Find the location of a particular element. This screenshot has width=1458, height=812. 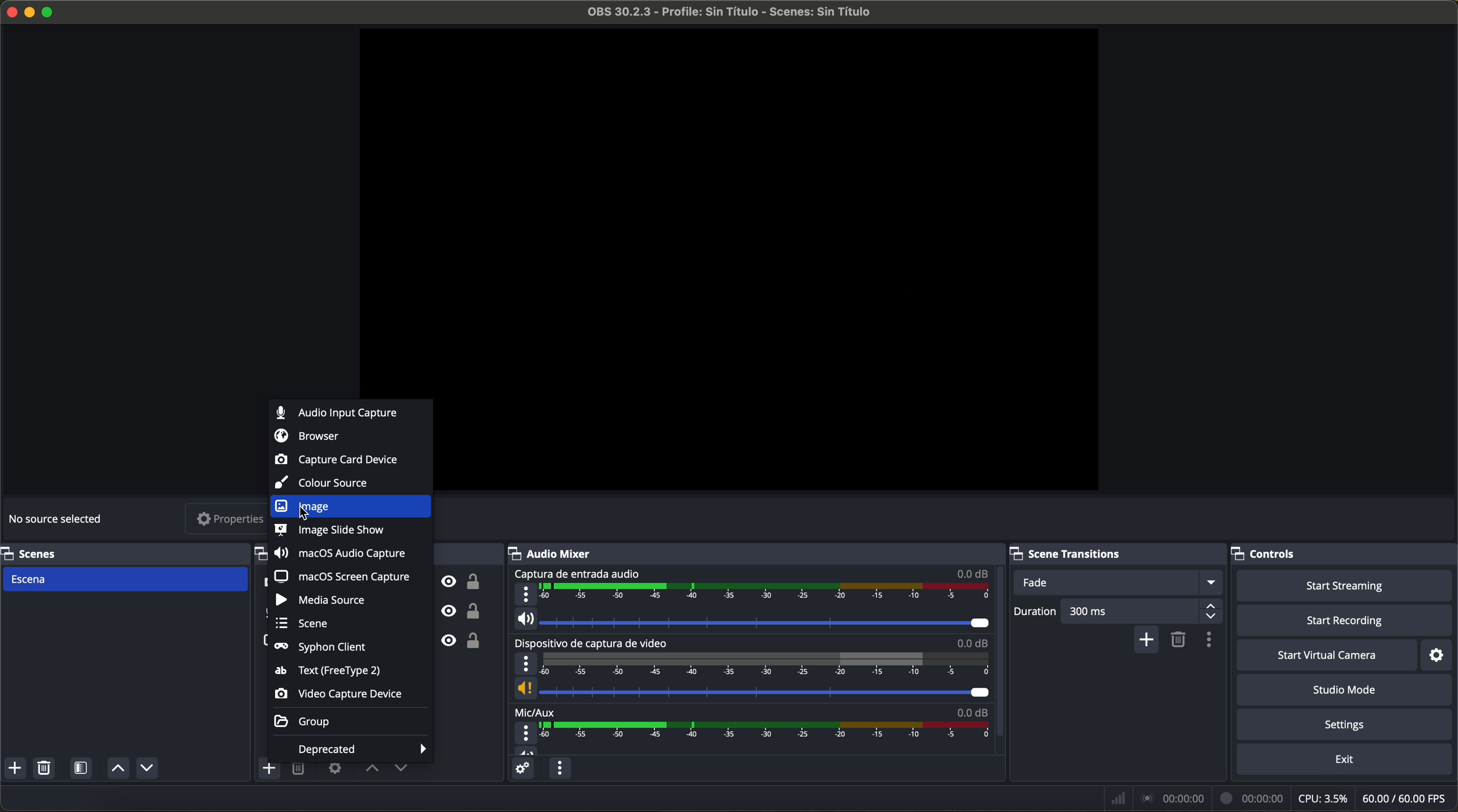

move source up is located at coordinates (372, 770).